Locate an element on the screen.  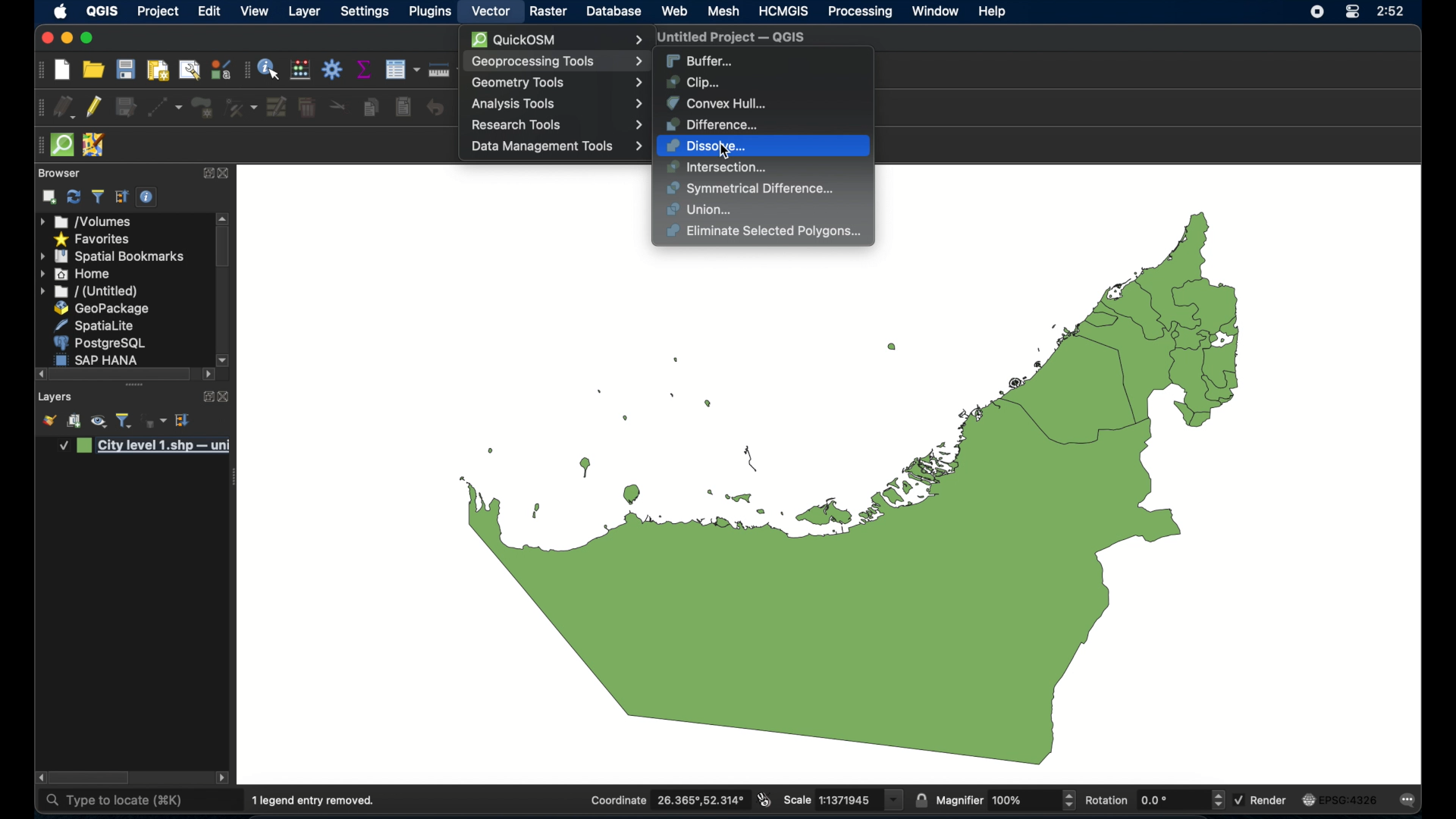
drag handle is located at coordinates (231, 479).